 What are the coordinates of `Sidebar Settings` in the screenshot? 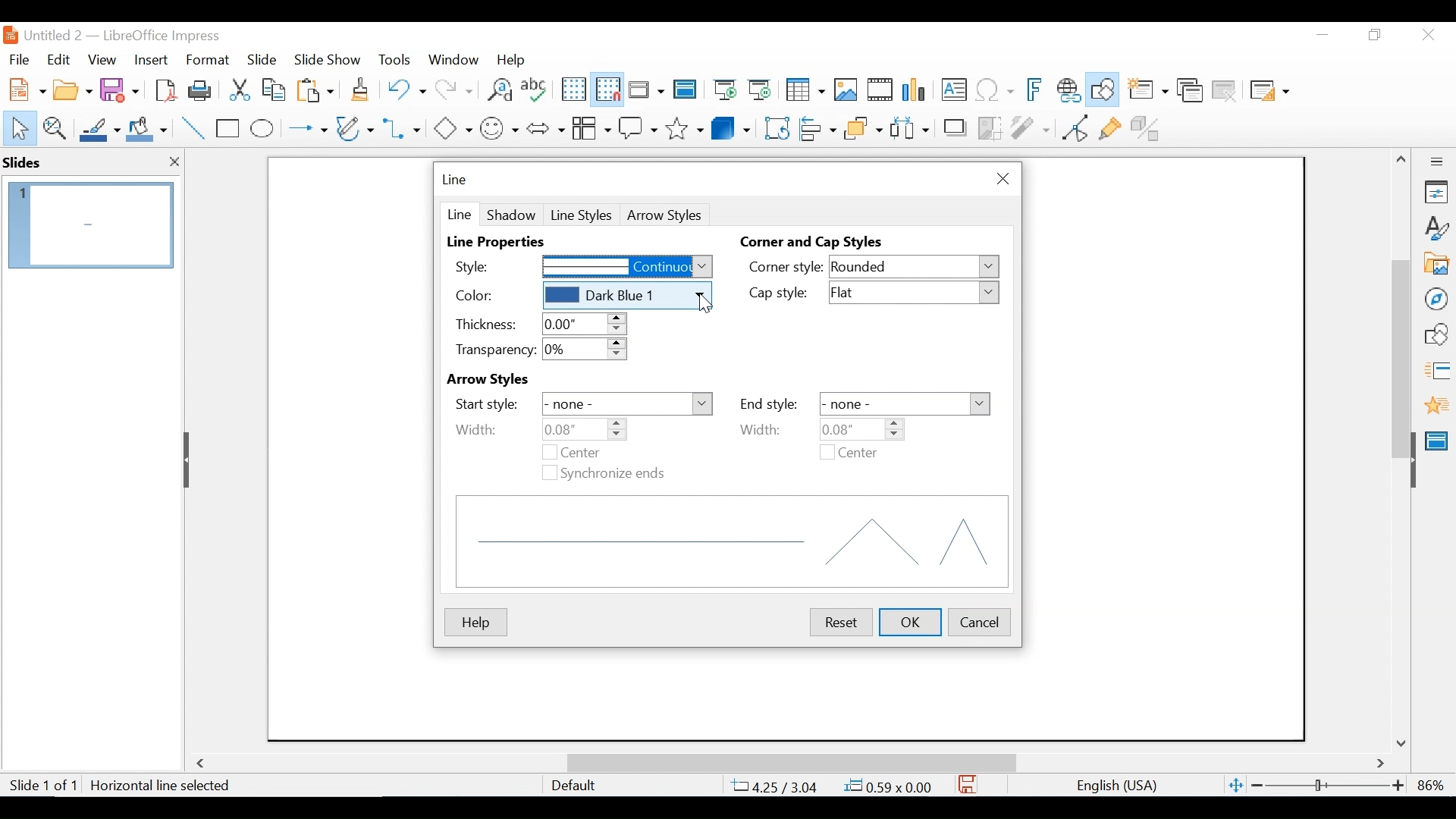 It's located at (1437, 162).